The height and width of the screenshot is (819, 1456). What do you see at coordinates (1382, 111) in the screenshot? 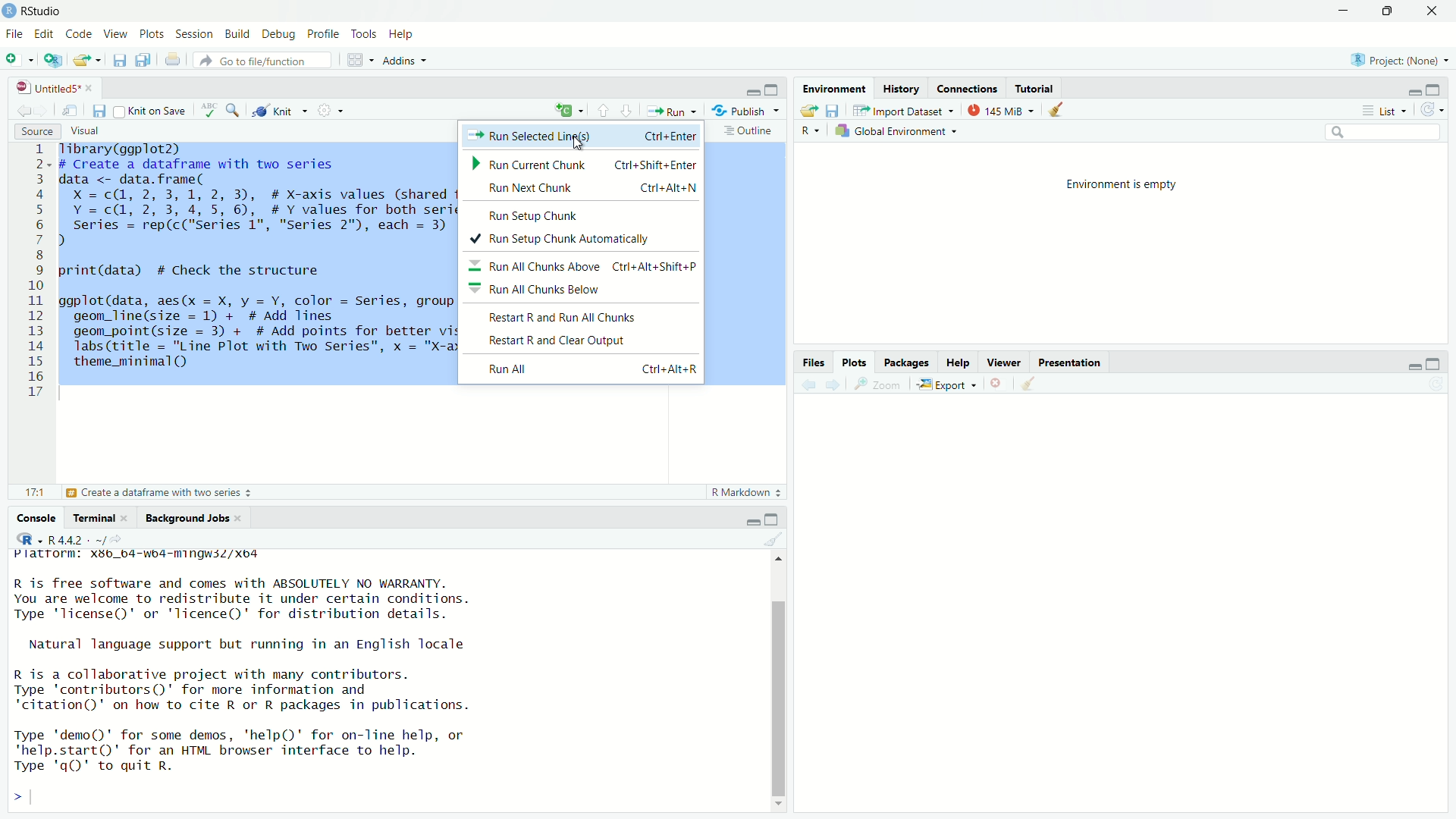
I see `List View` at bounding box center [1382, 111].